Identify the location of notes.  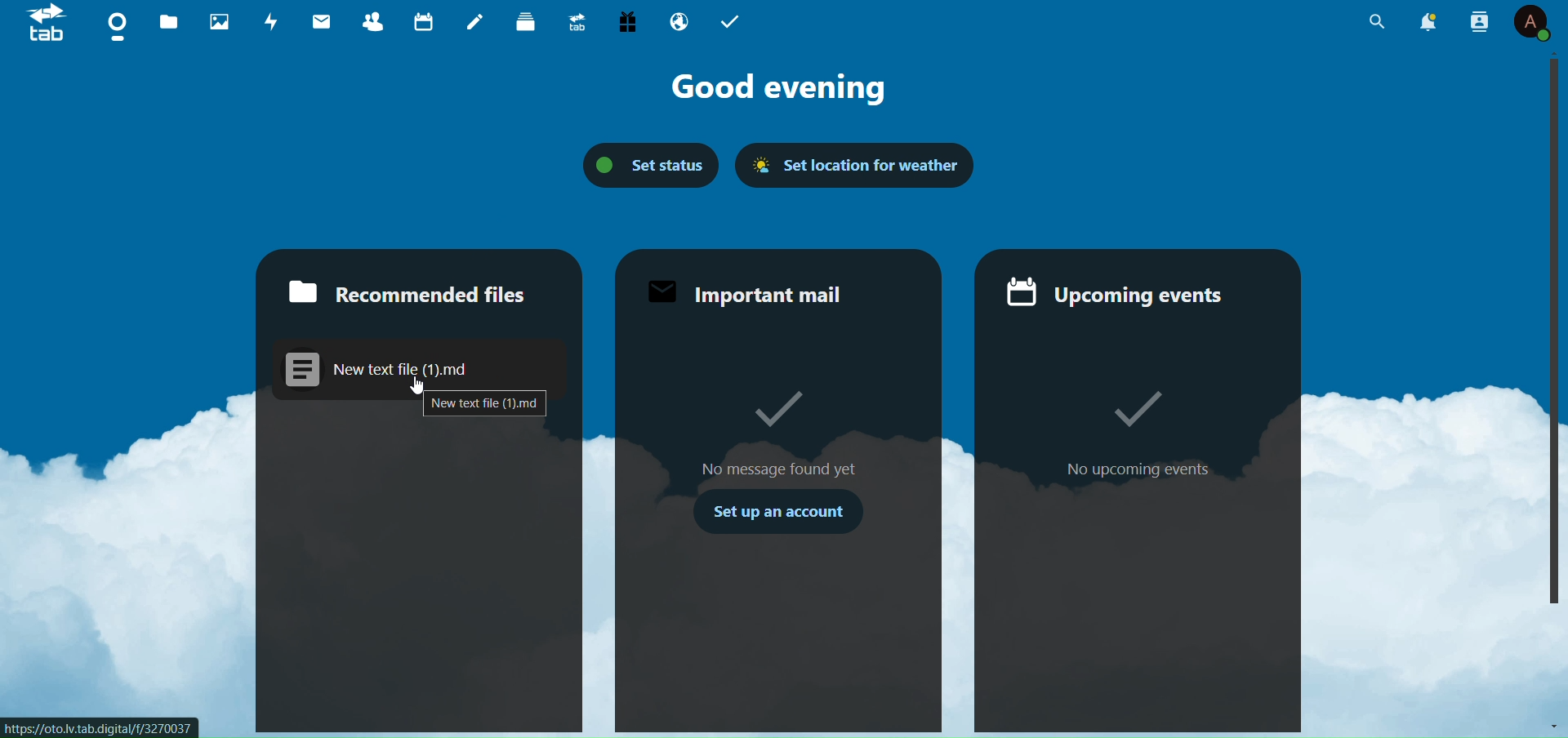
(473, 22).